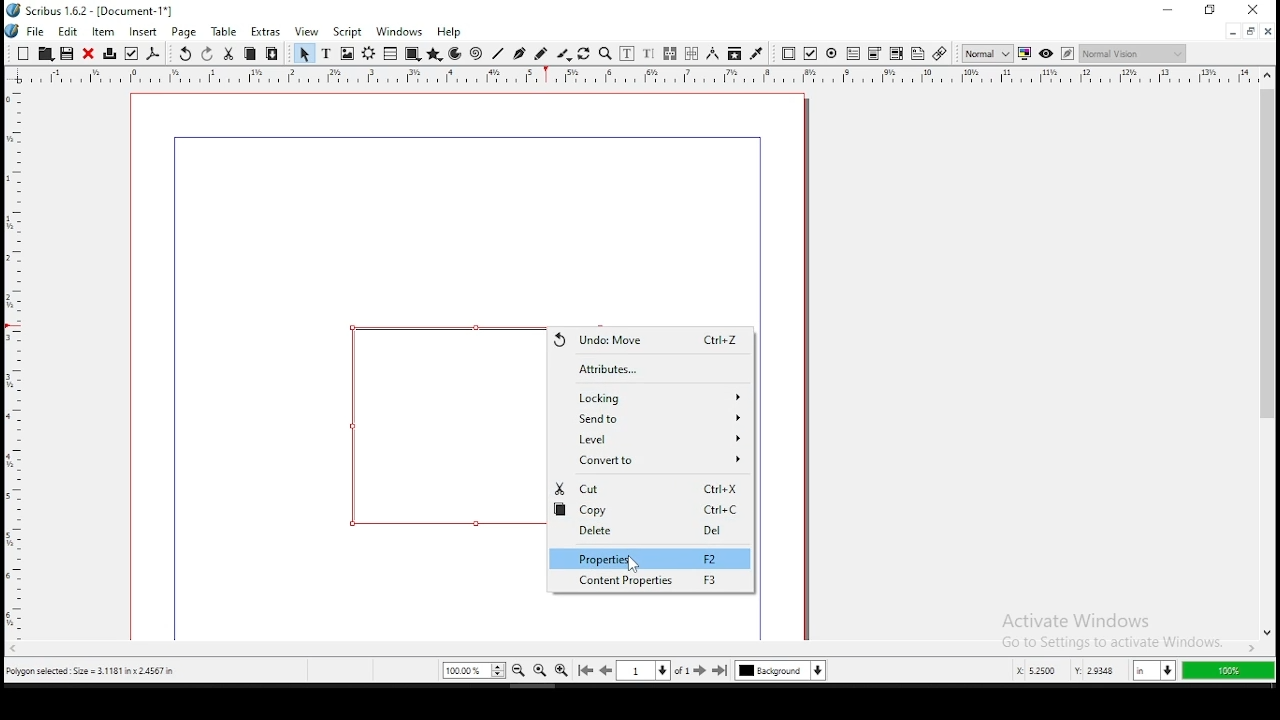 The image size is (1280, 720). I want to click on item, so click(103, 31).